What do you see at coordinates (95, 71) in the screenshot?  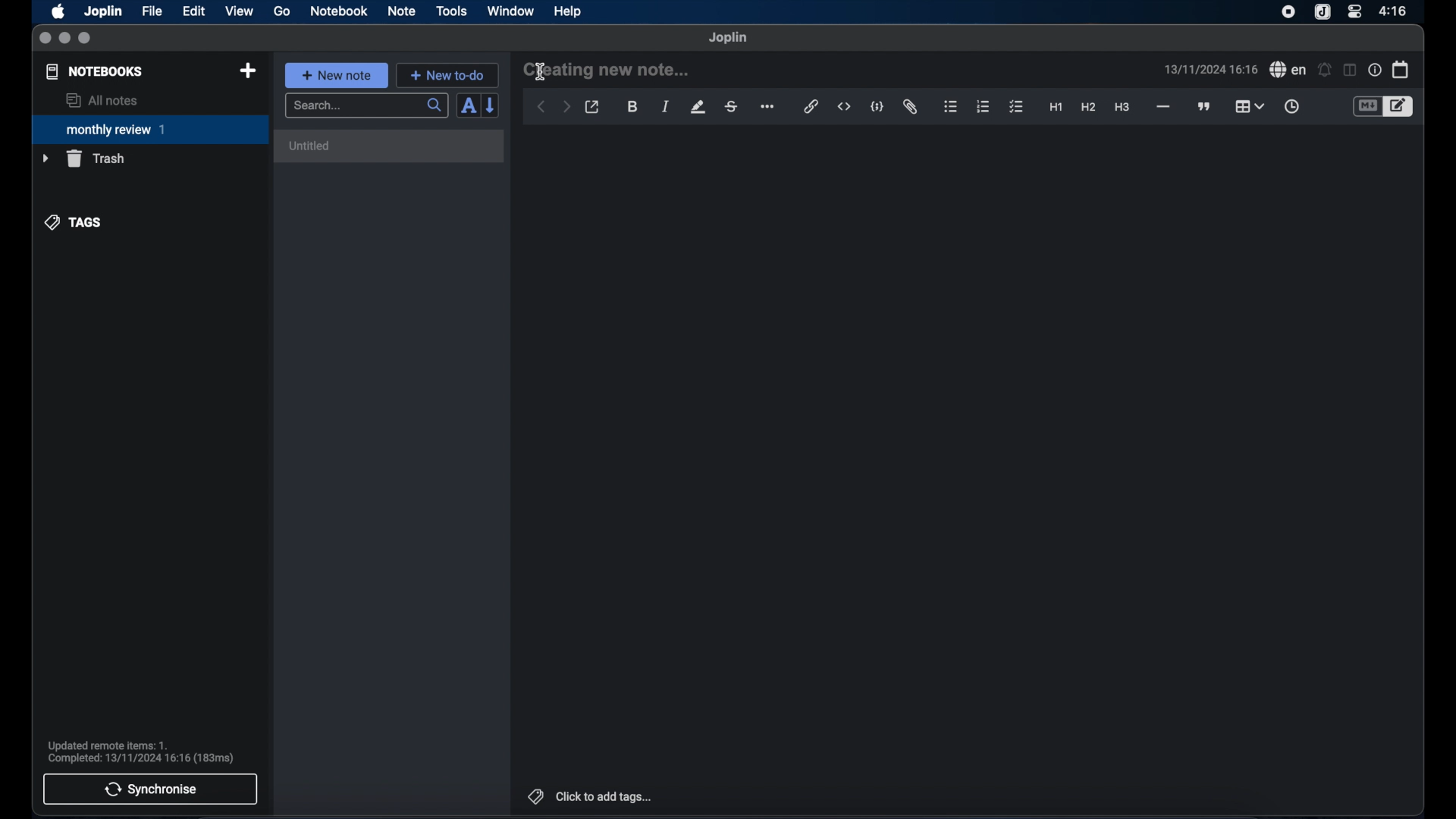 I see `notebooks` at bounding box center [95, 71].